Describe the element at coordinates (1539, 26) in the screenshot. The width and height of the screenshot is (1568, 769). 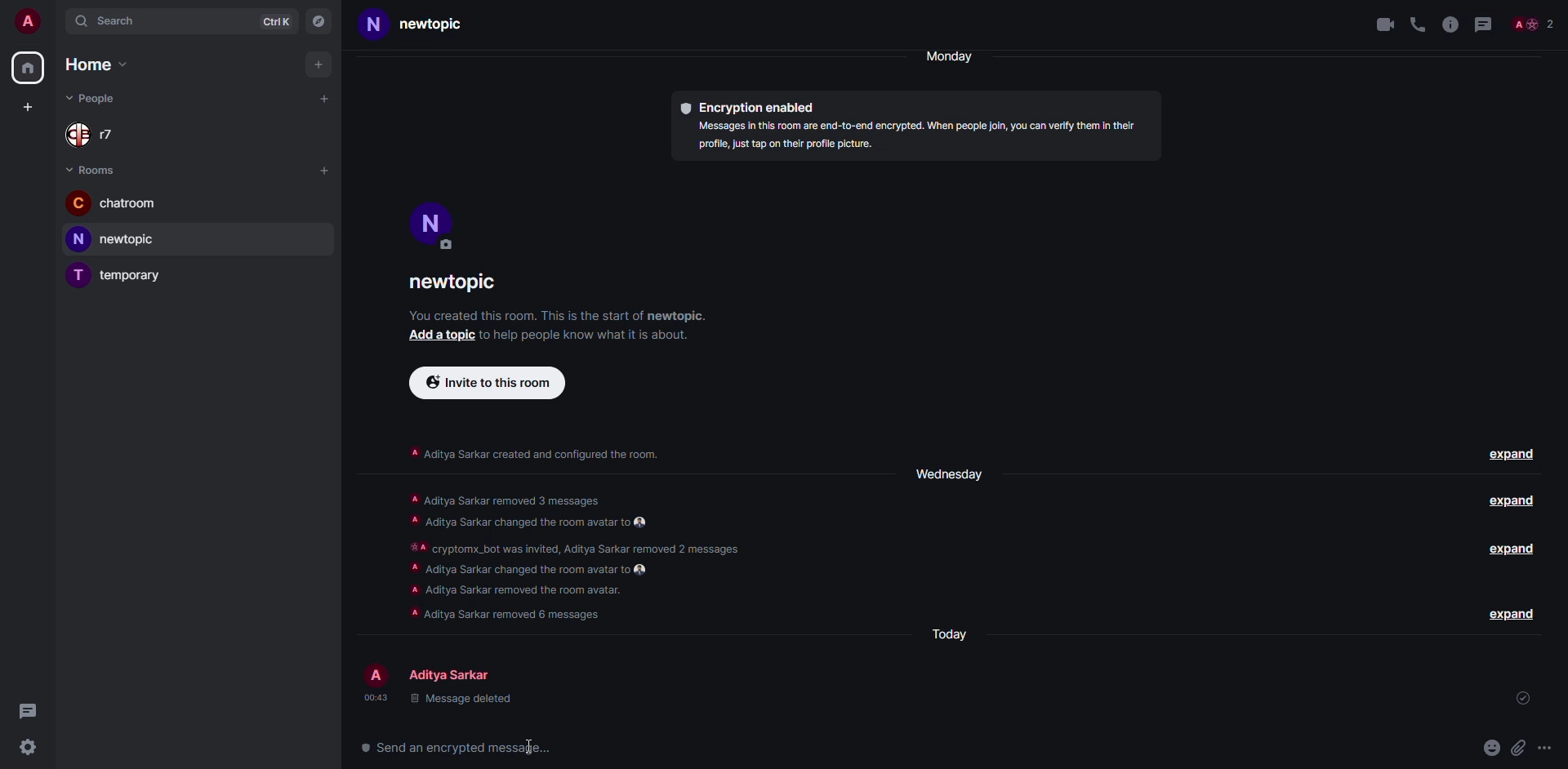
I see `people` at that location.